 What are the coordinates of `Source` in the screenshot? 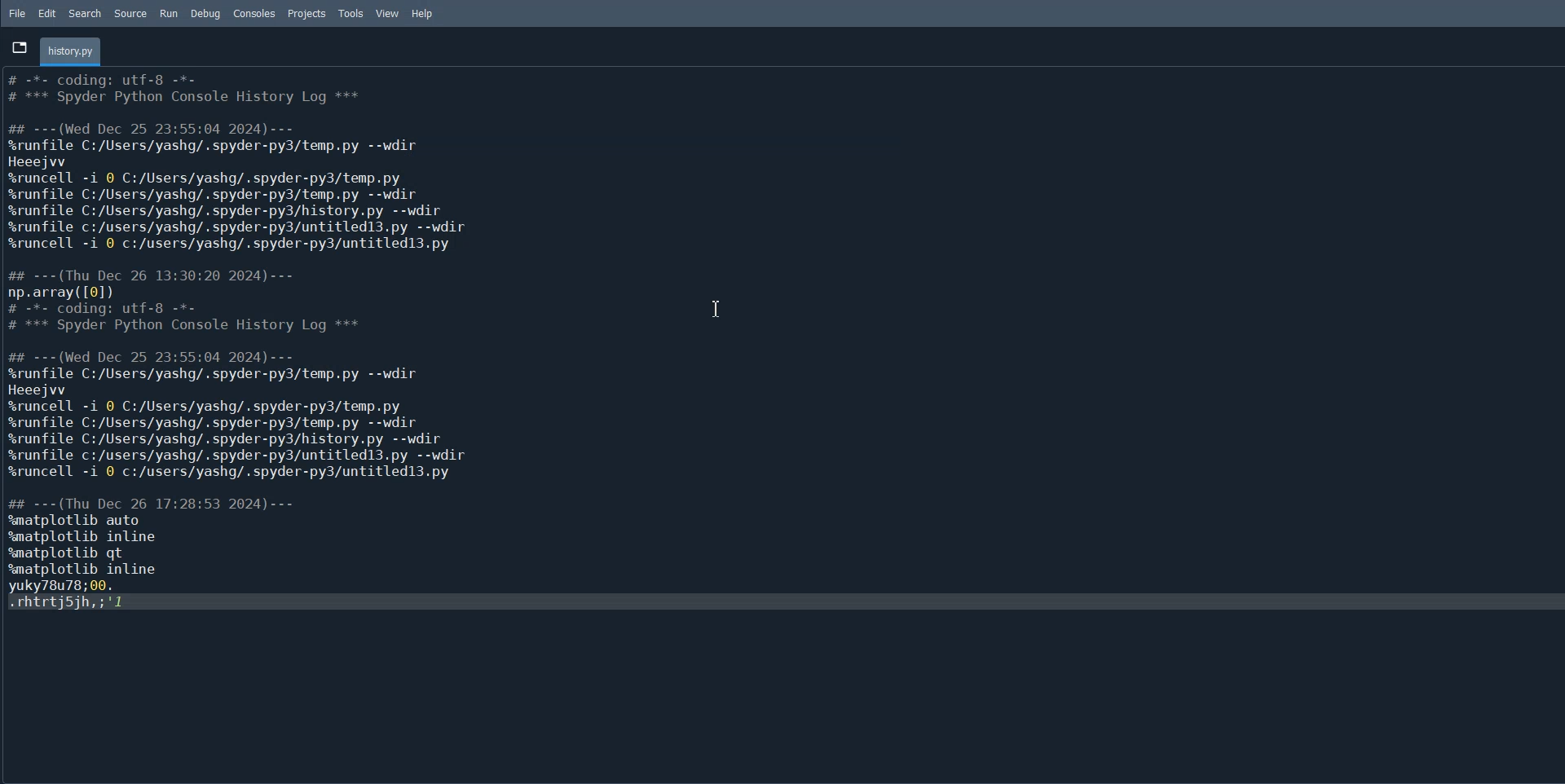 It's located at (130, 14).